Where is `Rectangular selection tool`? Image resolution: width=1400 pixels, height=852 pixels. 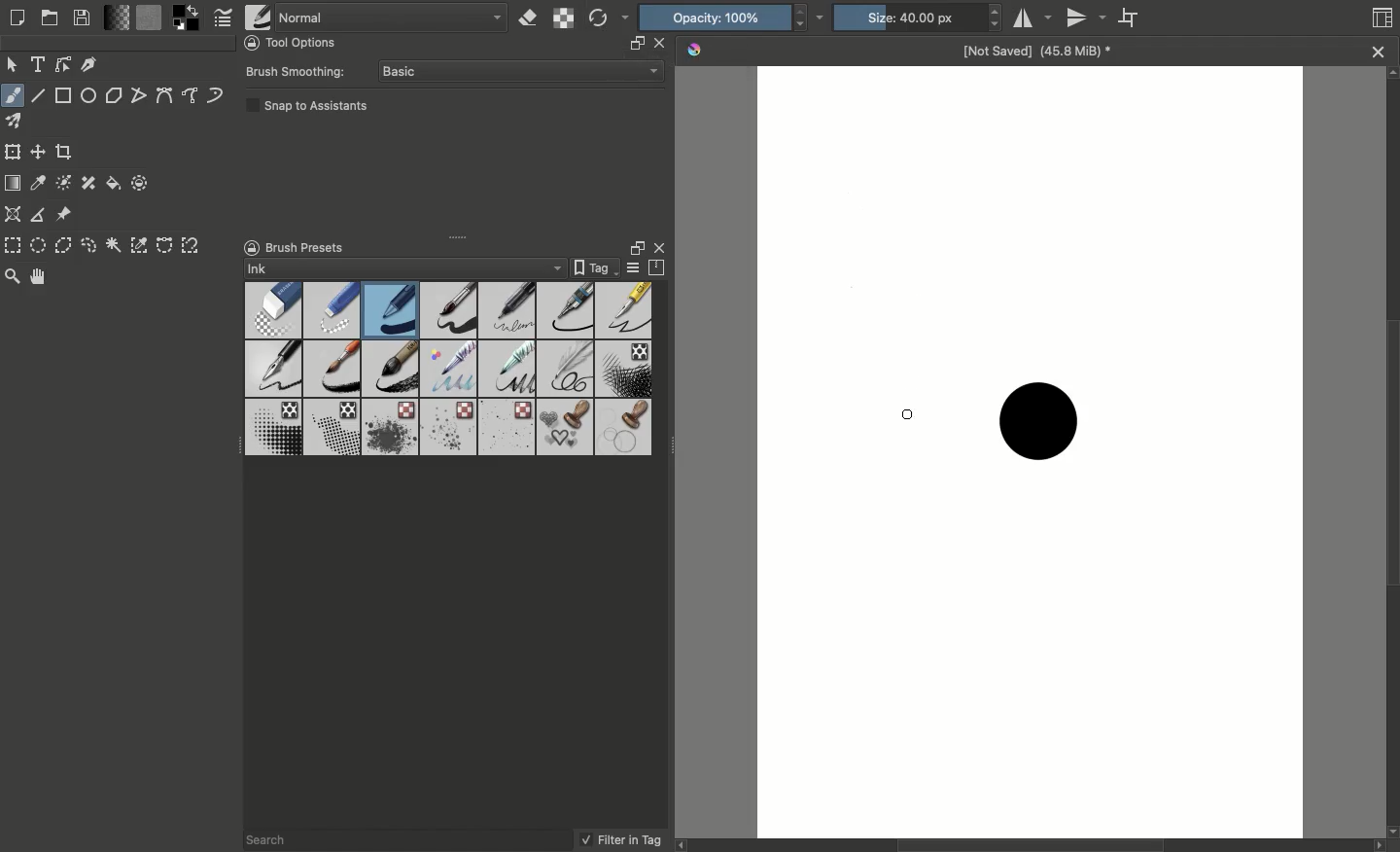 Rectangular selection tool is located at coordinates (15, 245).